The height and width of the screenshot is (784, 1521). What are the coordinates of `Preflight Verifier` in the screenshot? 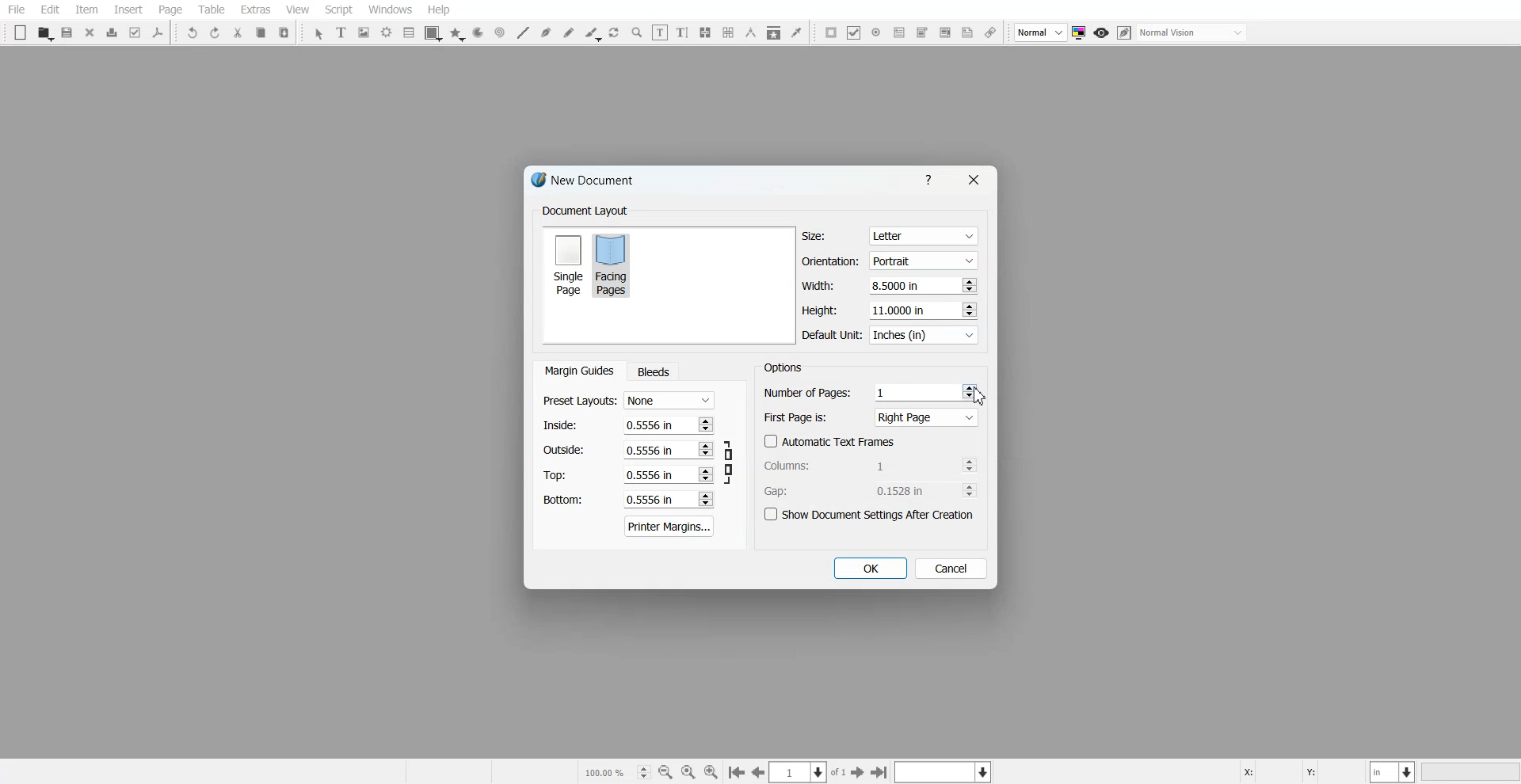 It's located at (136, 32).